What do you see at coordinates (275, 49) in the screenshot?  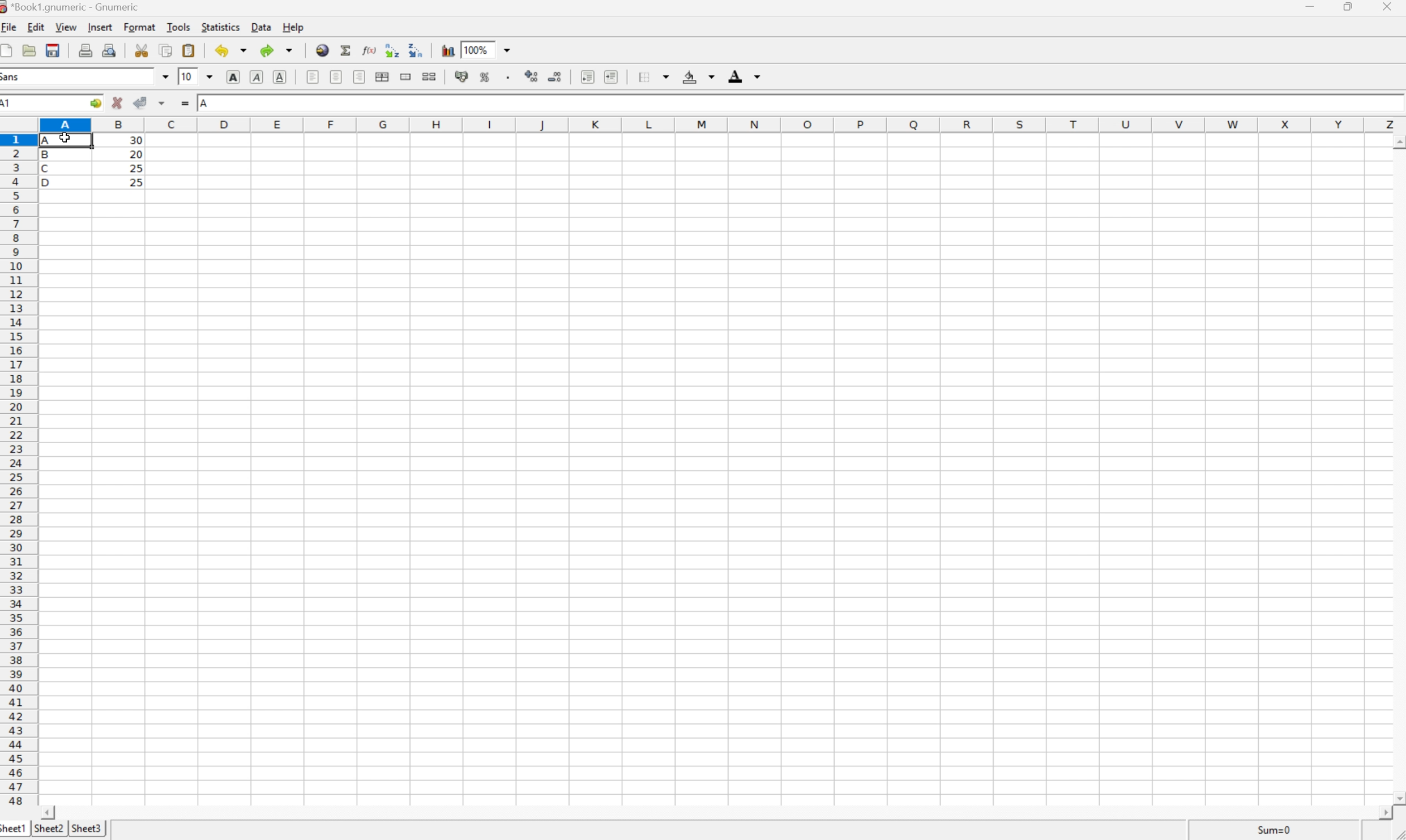 I see `Redo` at bounding box center [275, 49].